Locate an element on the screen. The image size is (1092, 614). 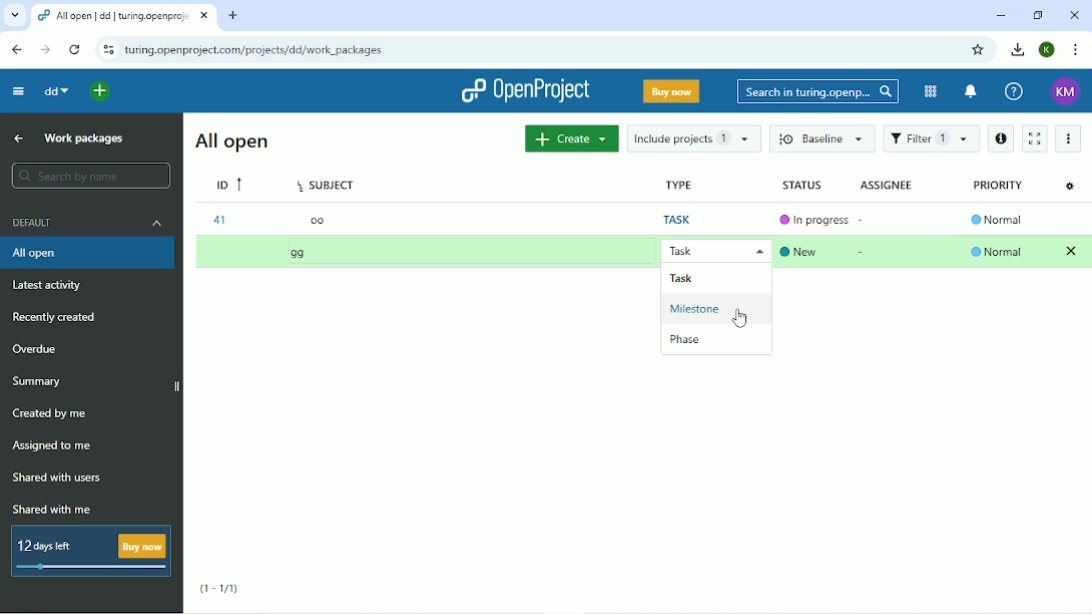
Search is located at coordinates (818, 91).